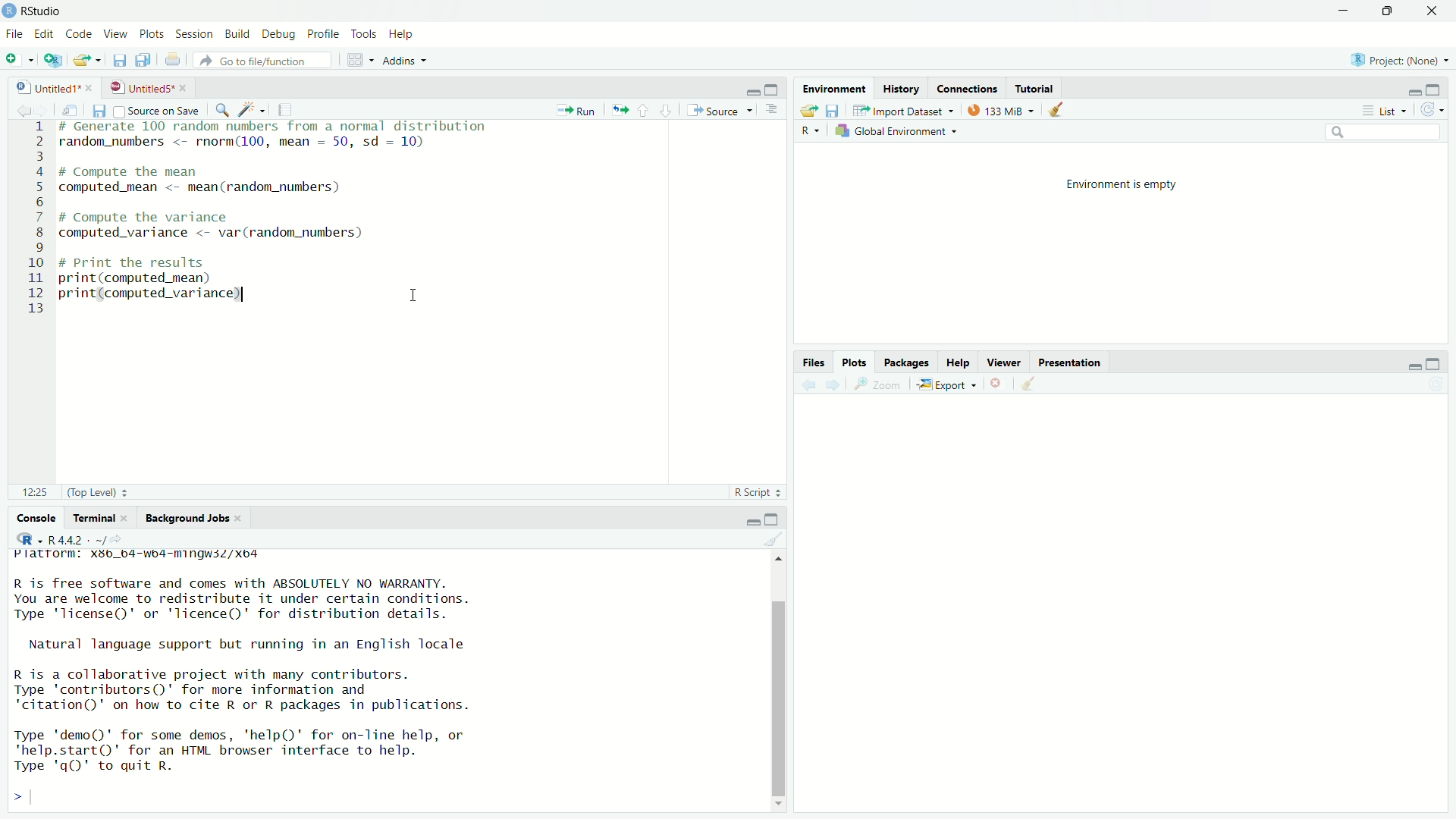  What do you see at coordinates (12, 797) in the screenshot?
I see `prompt cursor` at bounding box center [12, 797].